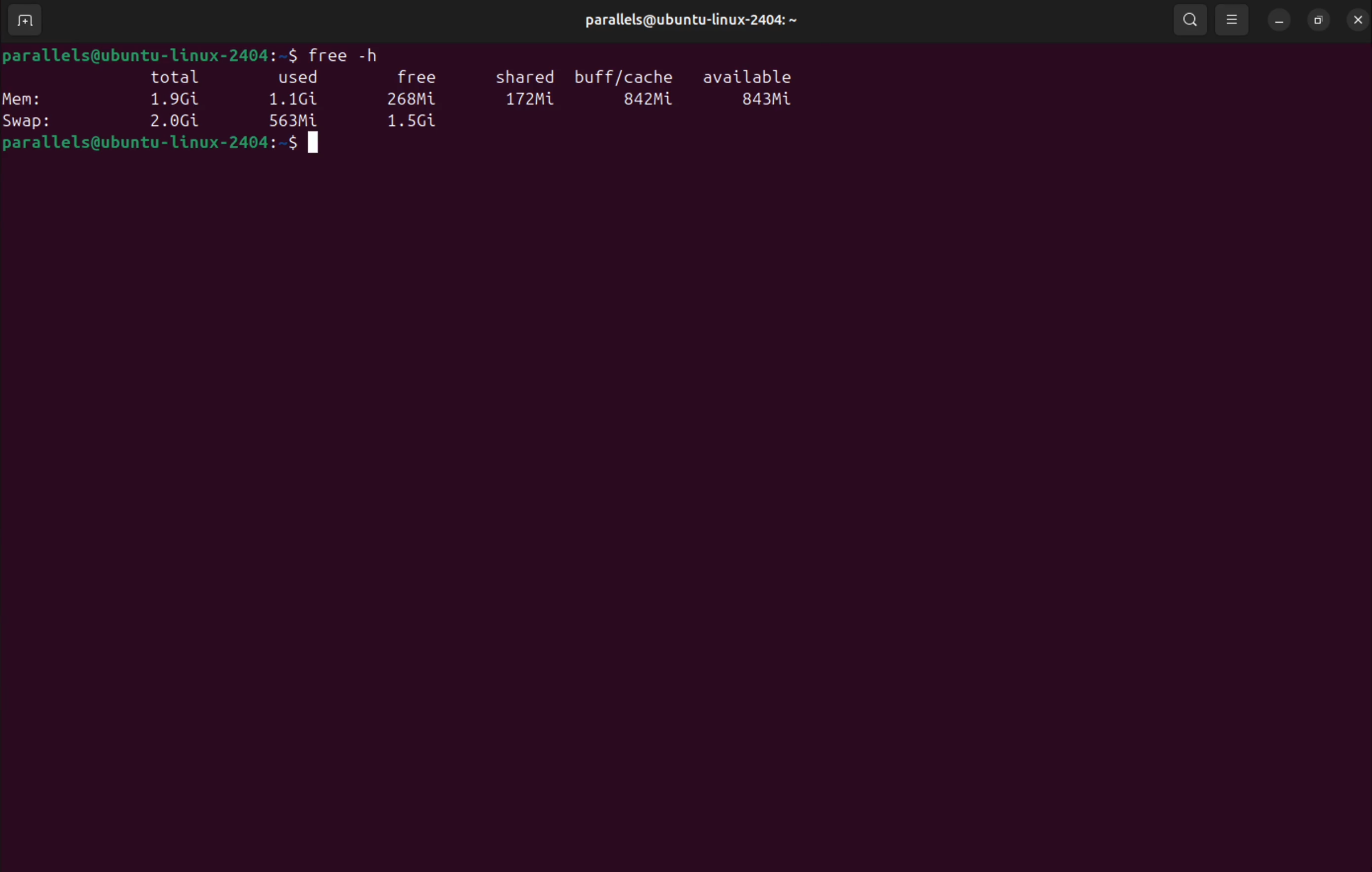 The width and height of the screenshot is (1372, 872). Describe the element at coordinates (22, 22) in the screenshot. I see `add terminal window` at that location.